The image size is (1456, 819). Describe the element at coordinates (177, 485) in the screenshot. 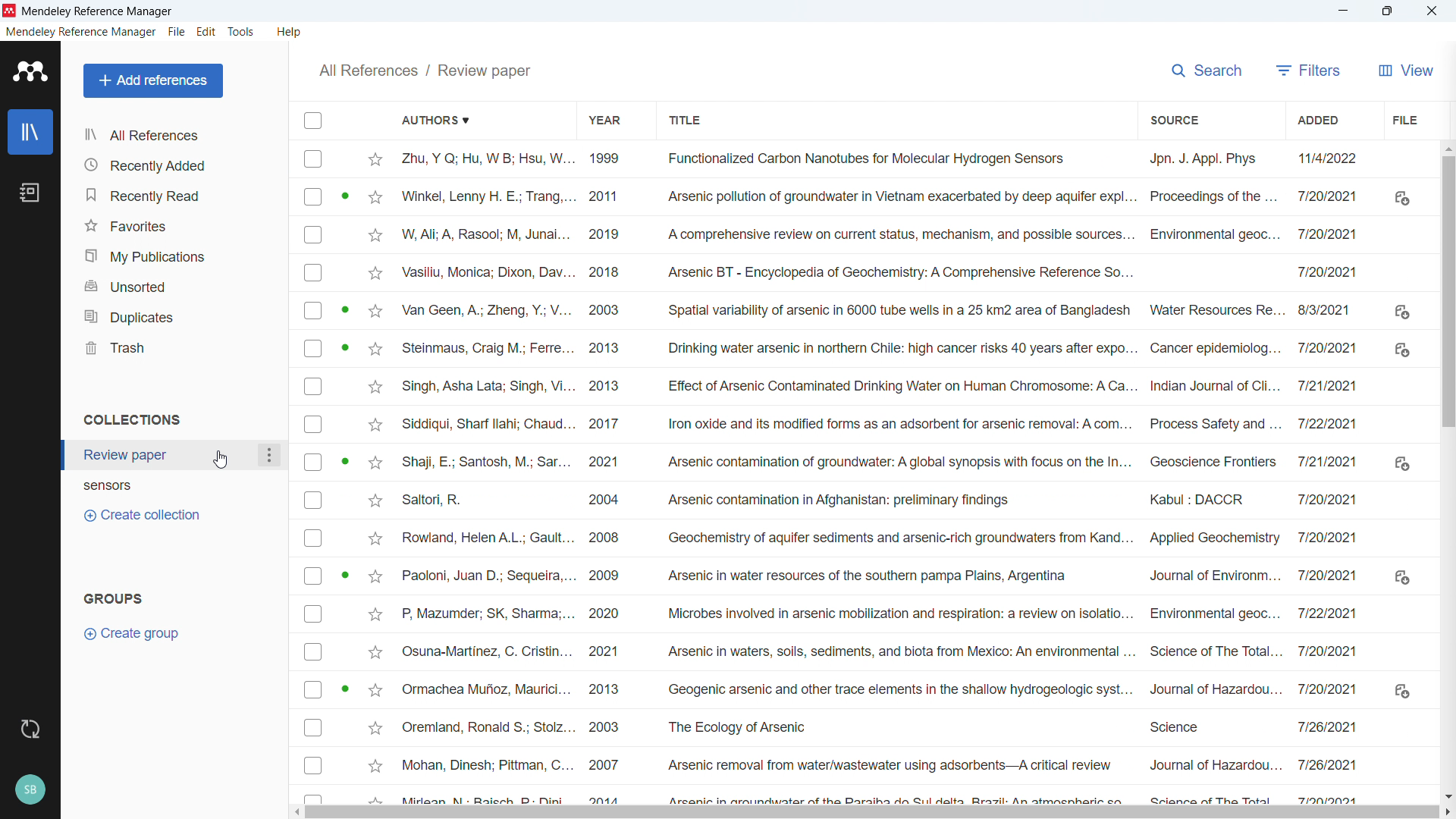

I see `Collection 2 ` at that location.